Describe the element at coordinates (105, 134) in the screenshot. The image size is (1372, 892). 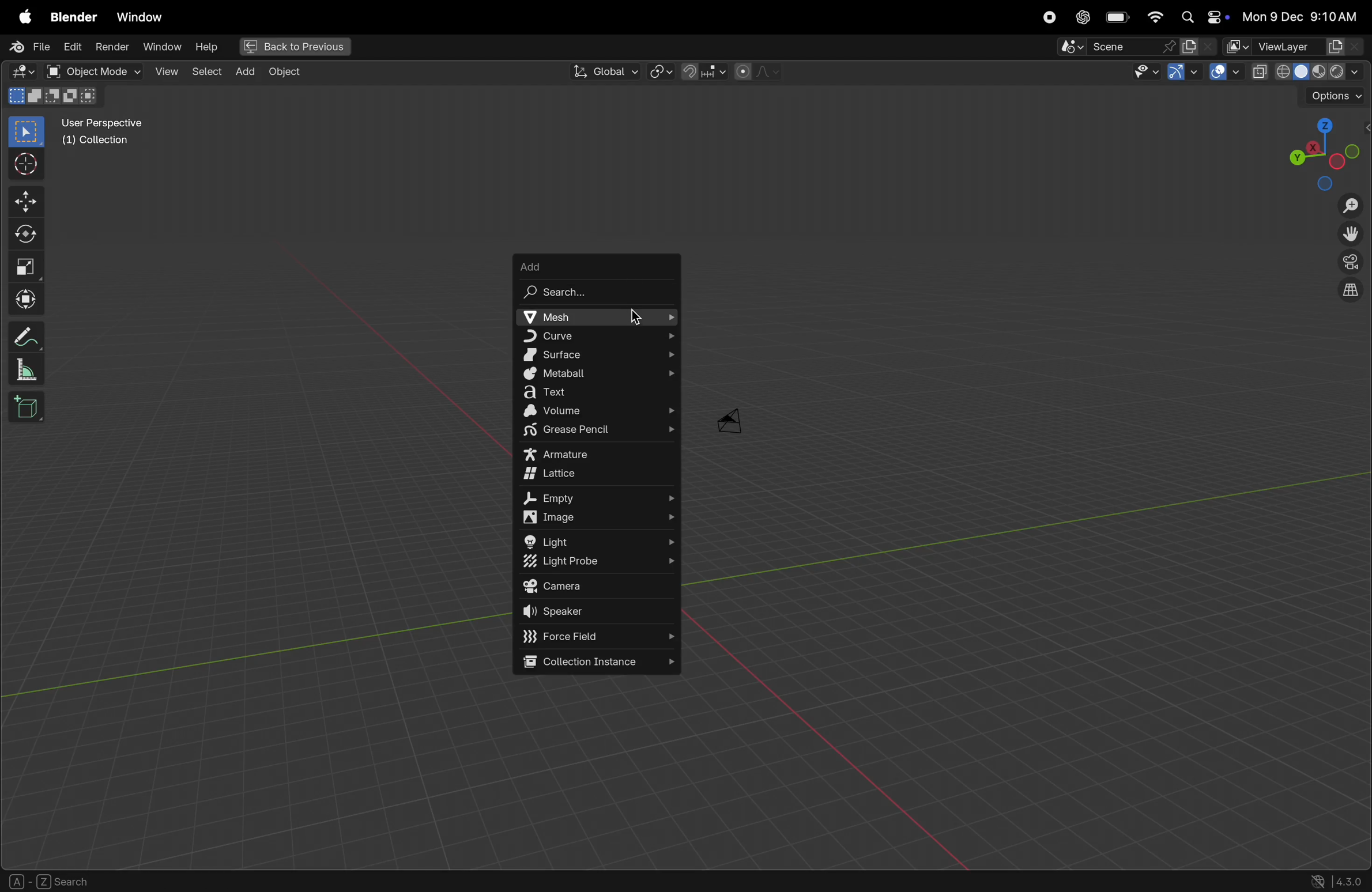
I see `user perspectivr` at that location.